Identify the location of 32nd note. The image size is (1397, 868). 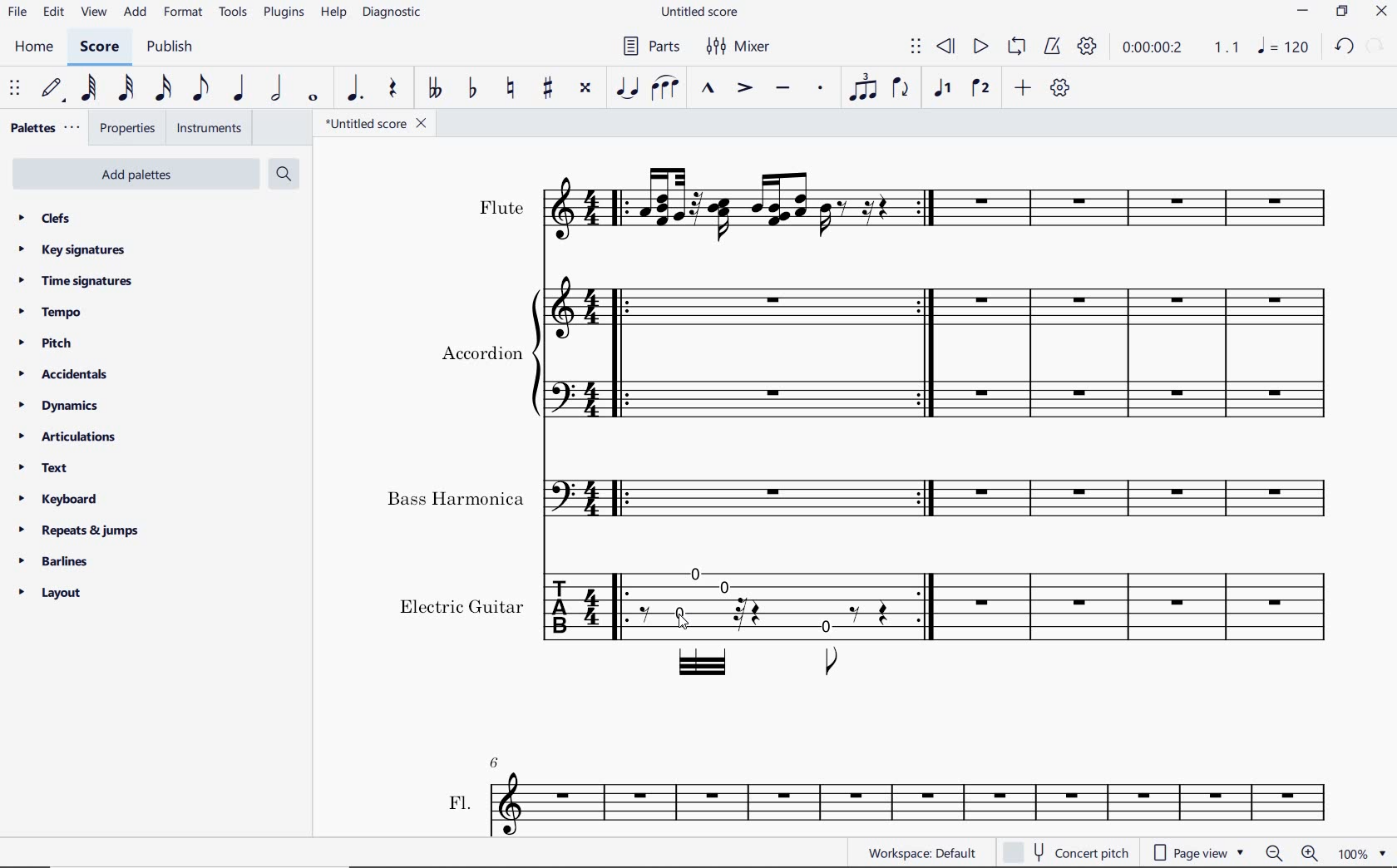
(124, 87).